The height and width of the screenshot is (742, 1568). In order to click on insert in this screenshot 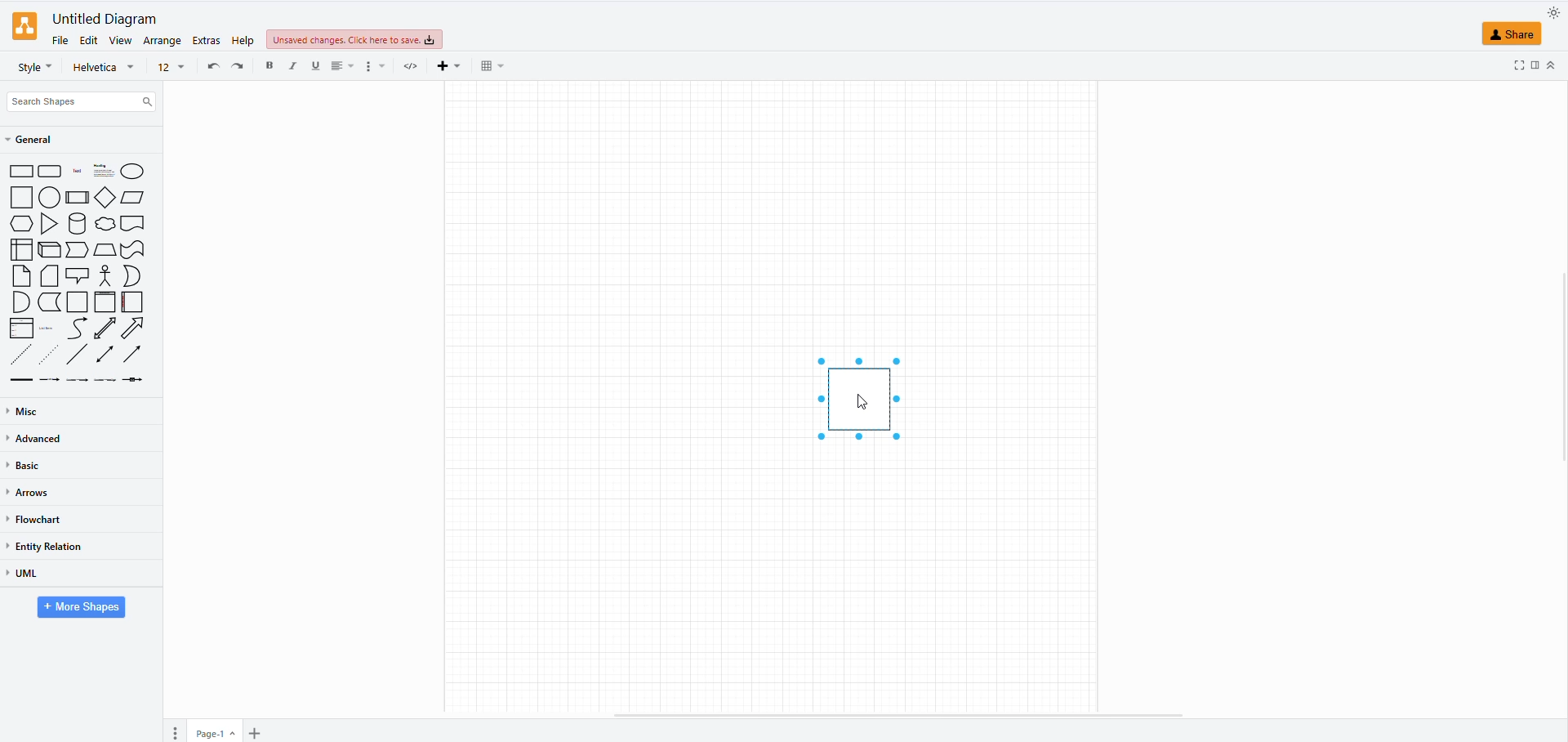, I will do `click(453, 65)`.